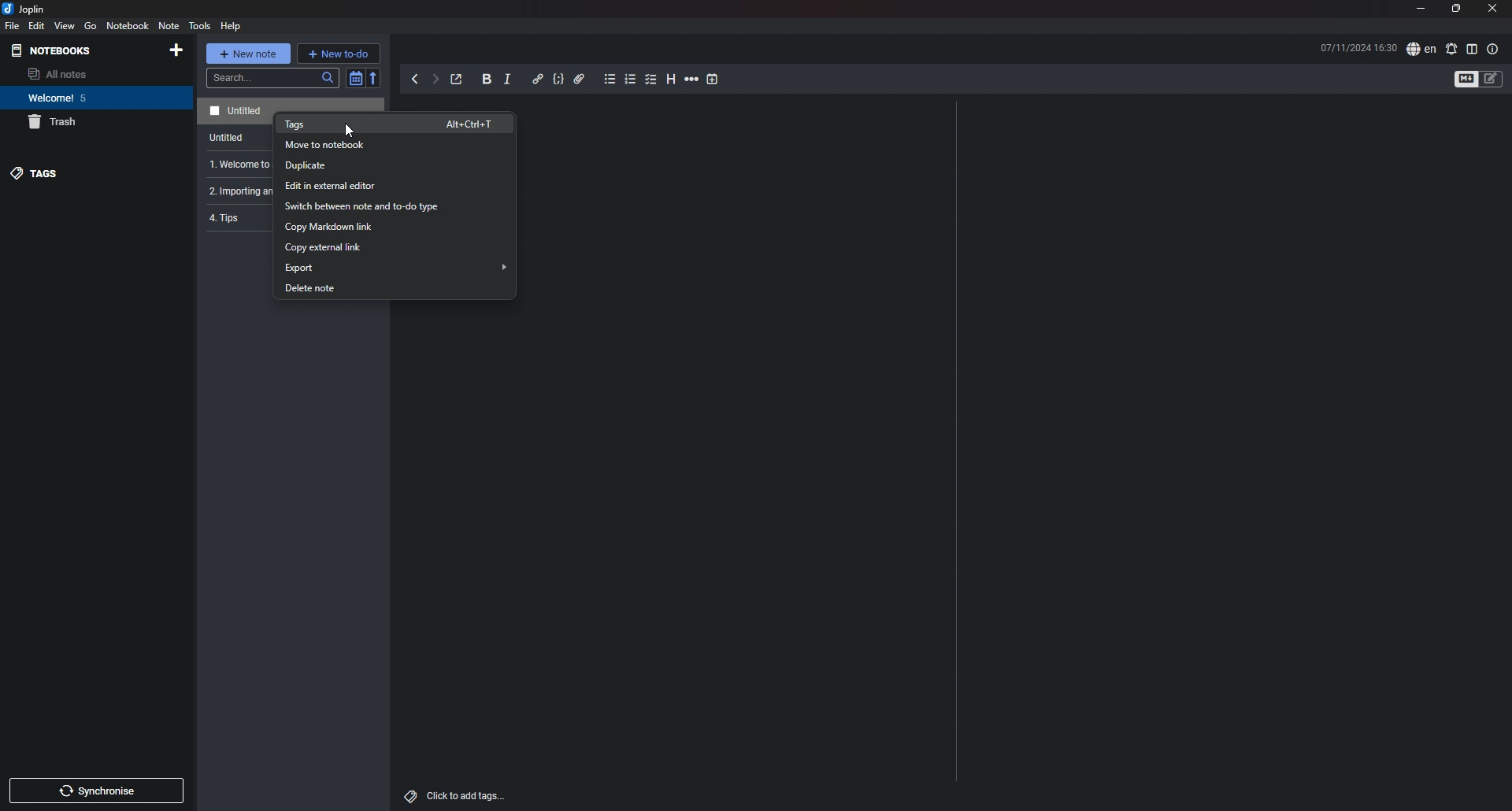  What do you see at coordinates (390, 165) in the screenshot?
I see `duplicate` at bounding box center [390, 165].